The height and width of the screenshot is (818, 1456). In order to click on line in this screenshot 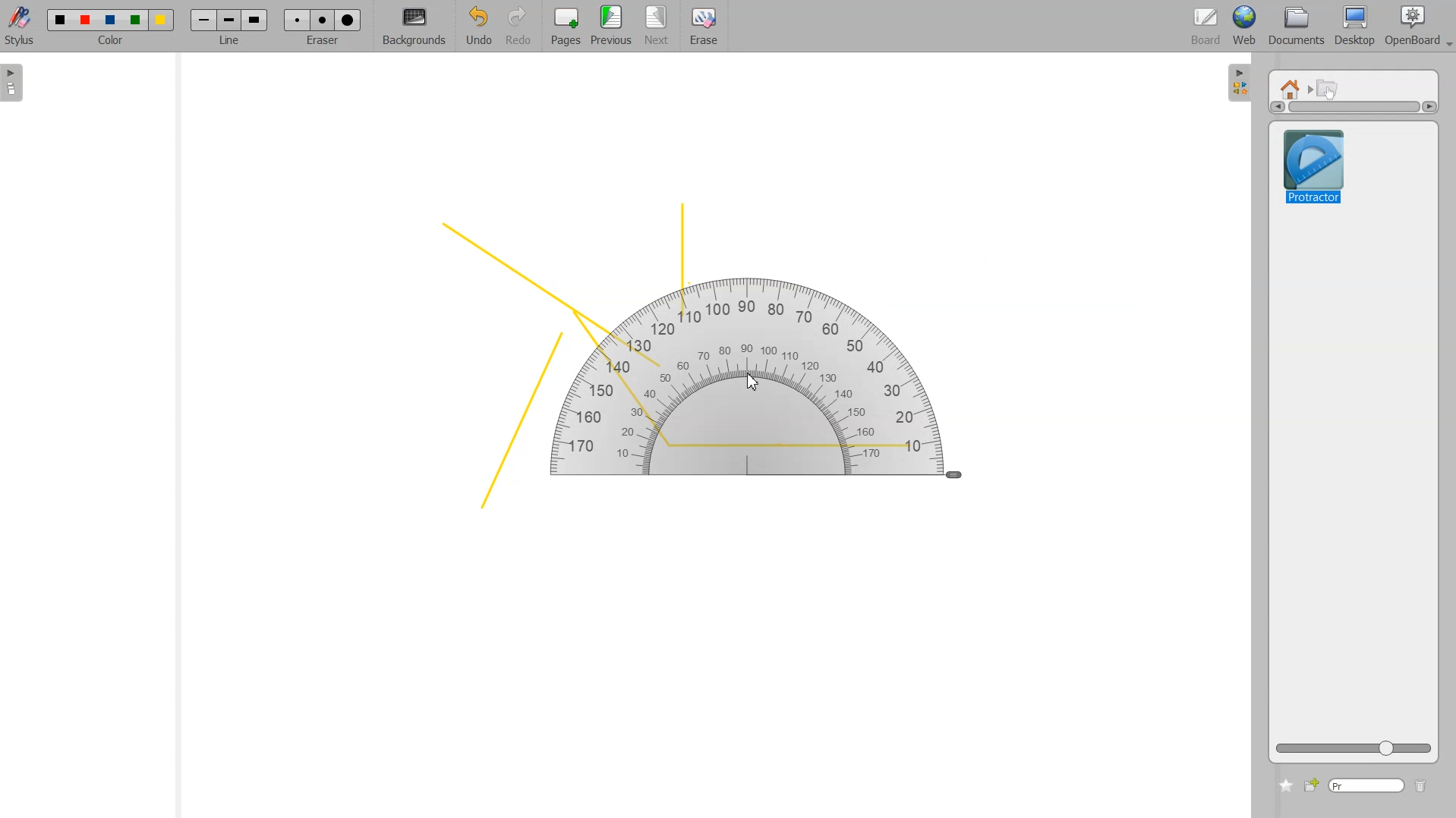, I will do `click(232, 42)`.